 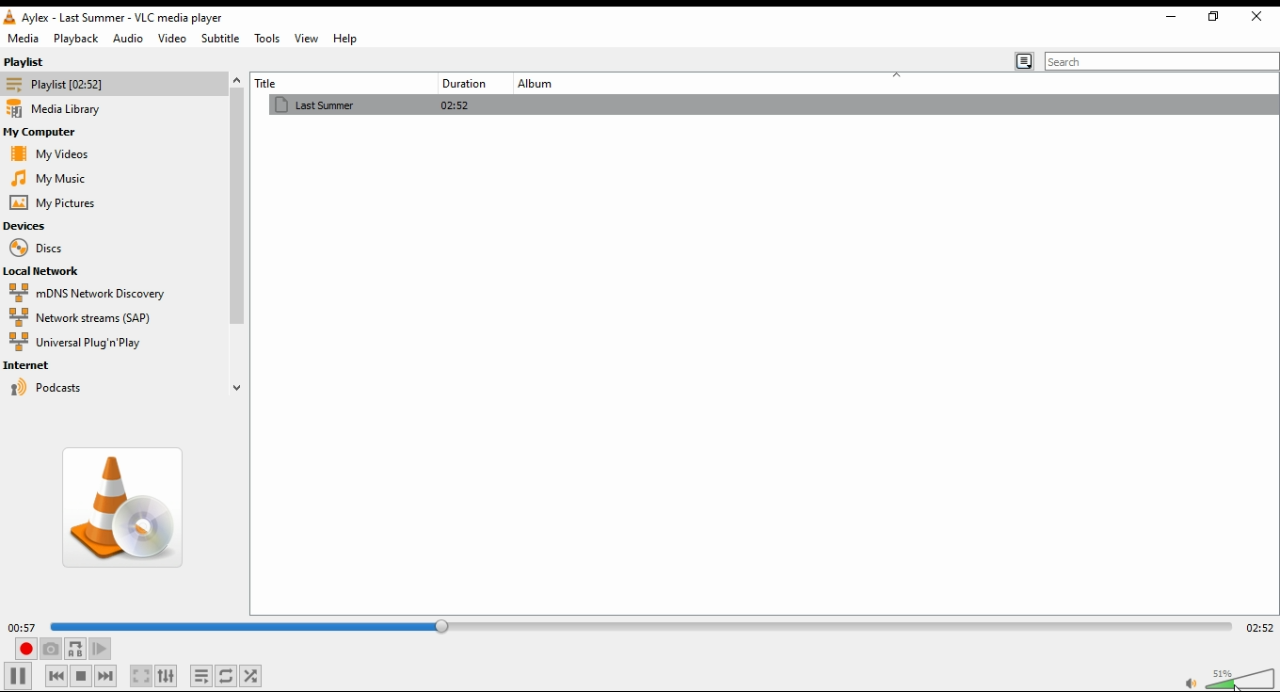 What do you see at coordinates (45, 271) in the screenshot?
I see `local network` at bounding box center [45, 271].